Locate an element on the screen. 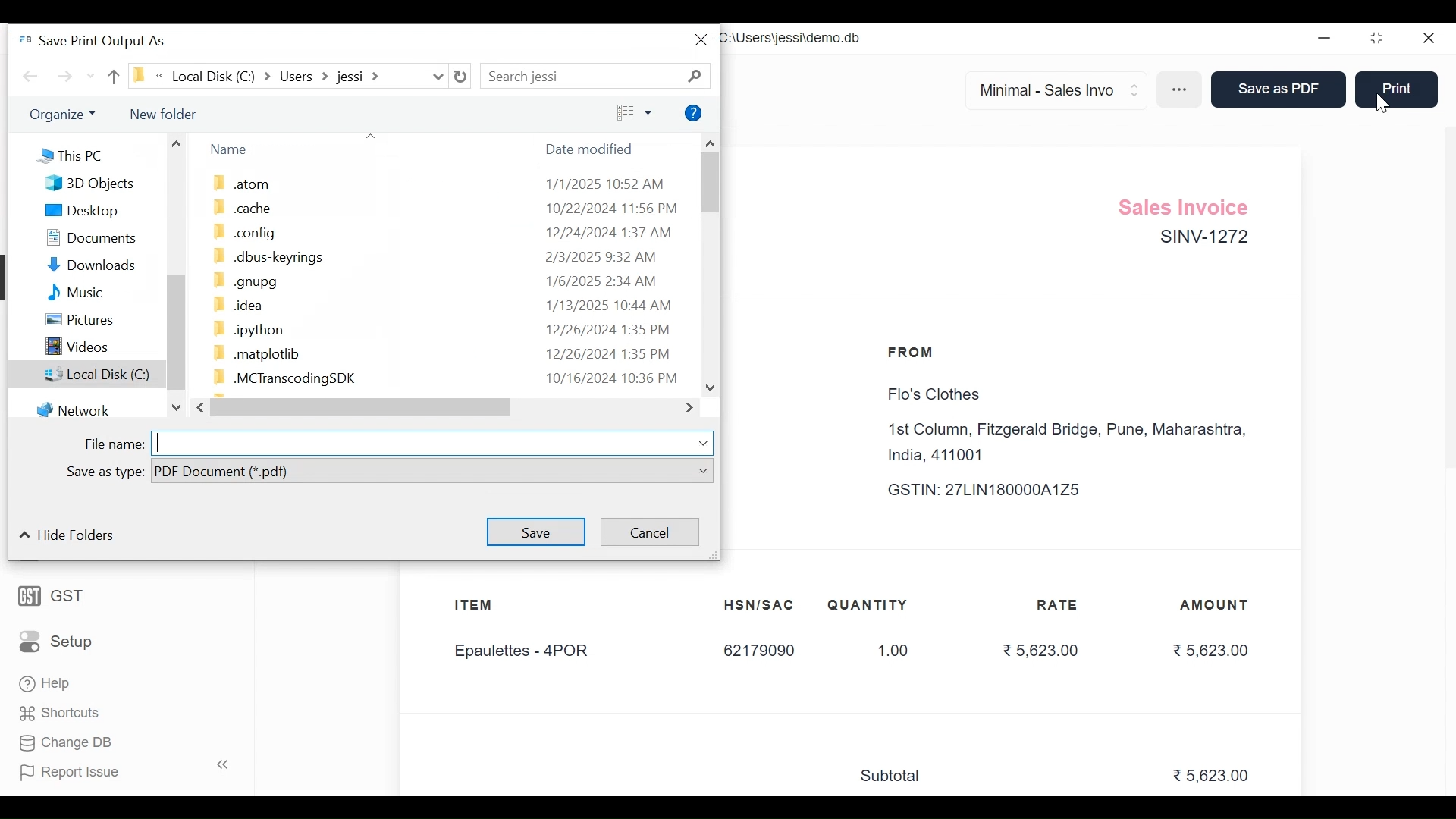 This screenshot has width=1456, height=819. Flo's Clothes is located at coordinates (930, 395).